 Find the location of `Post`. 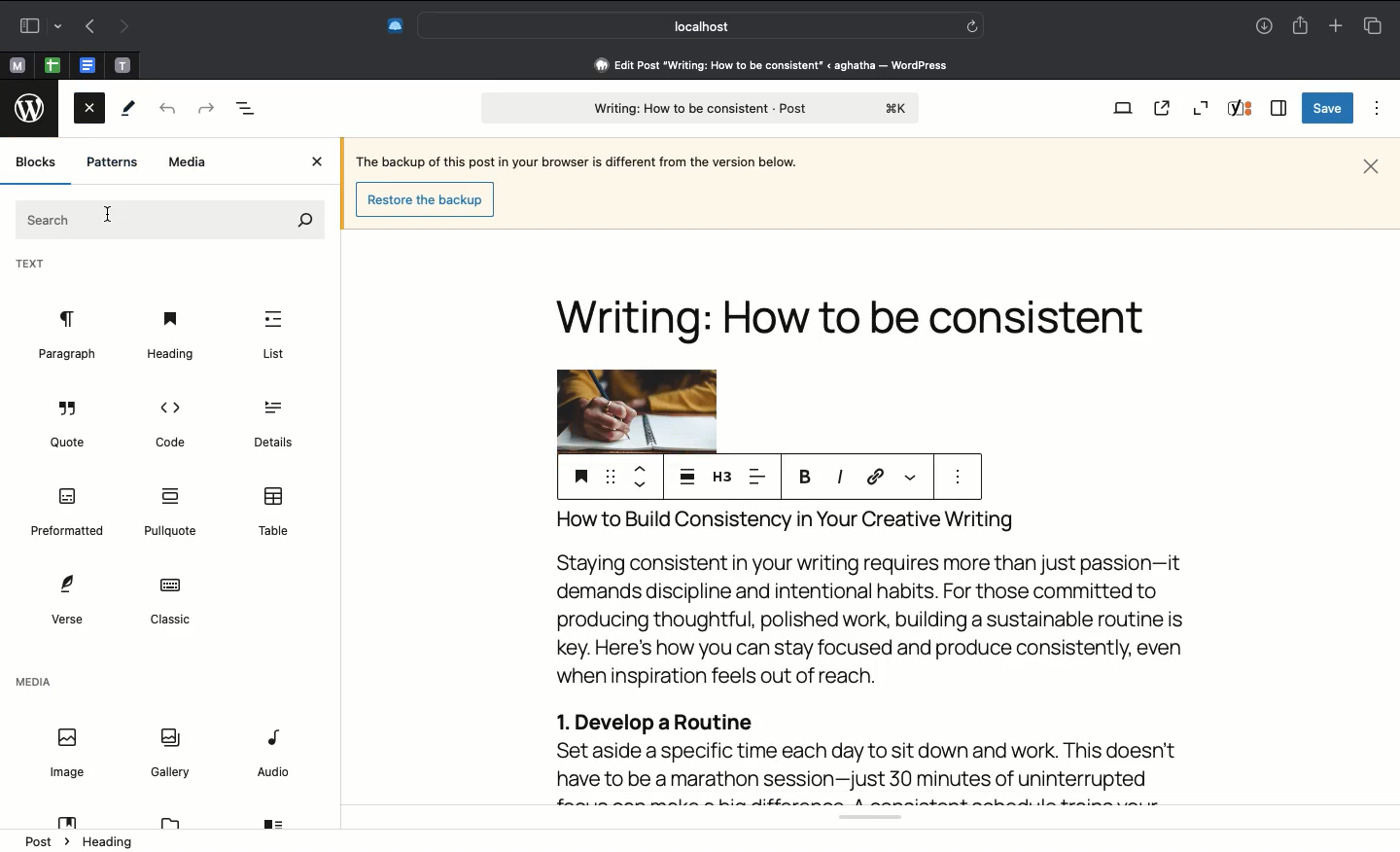

Post is located at coordinates (46, 840).